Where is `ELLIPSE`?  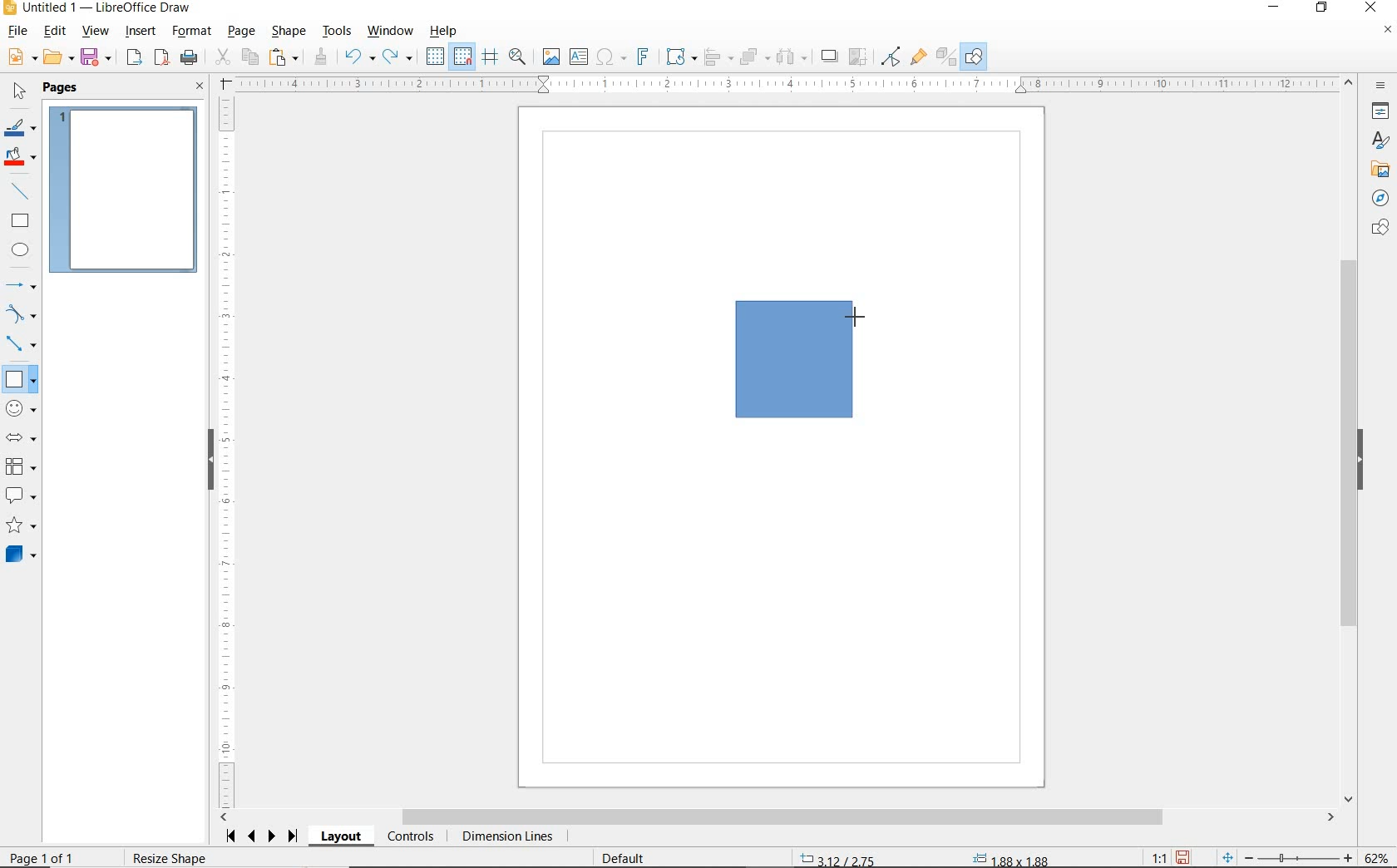 ELLIPSE is located at coordinates (22, 249).